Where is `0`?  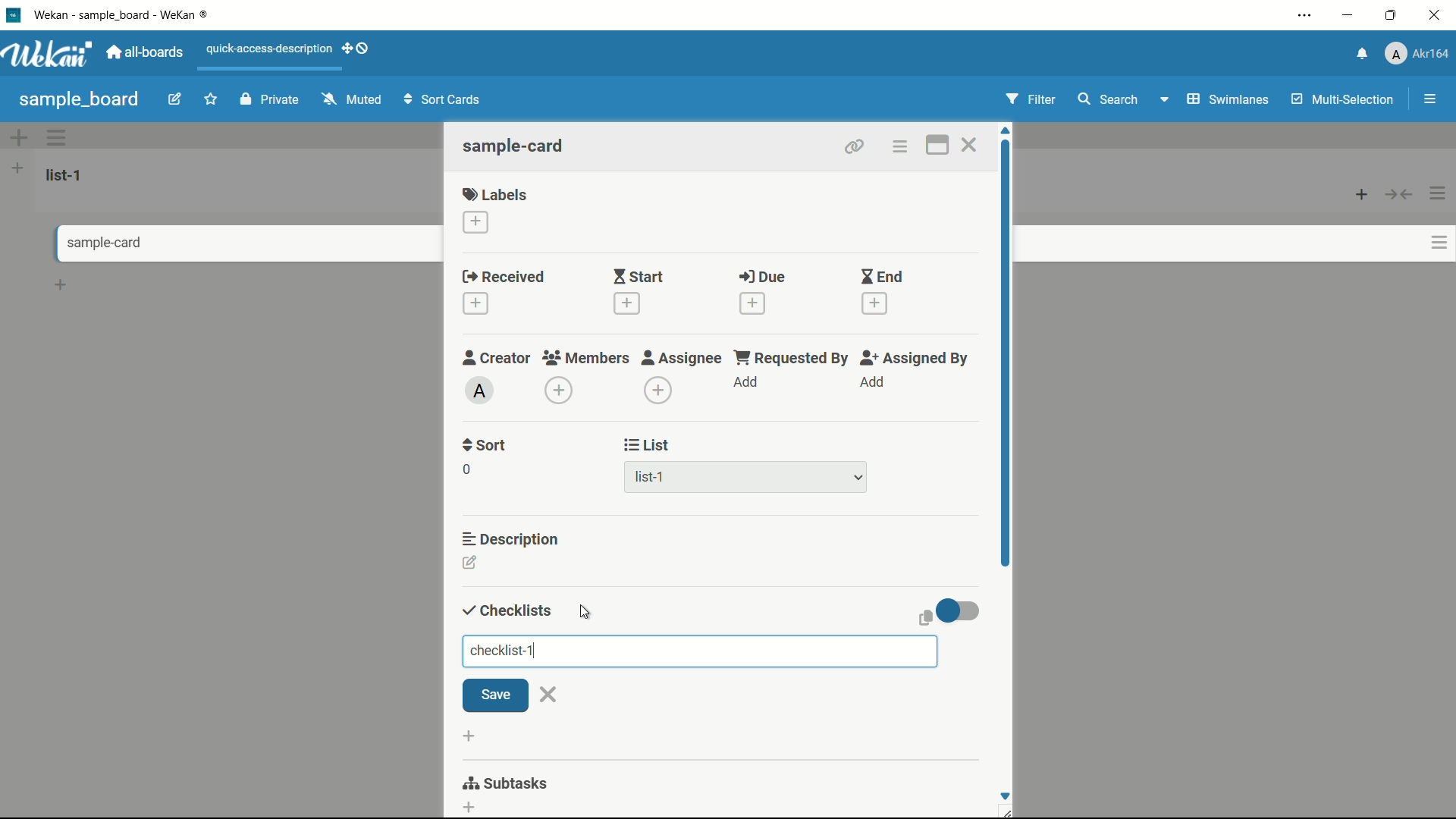
0 is located at coordinates (466, 469).